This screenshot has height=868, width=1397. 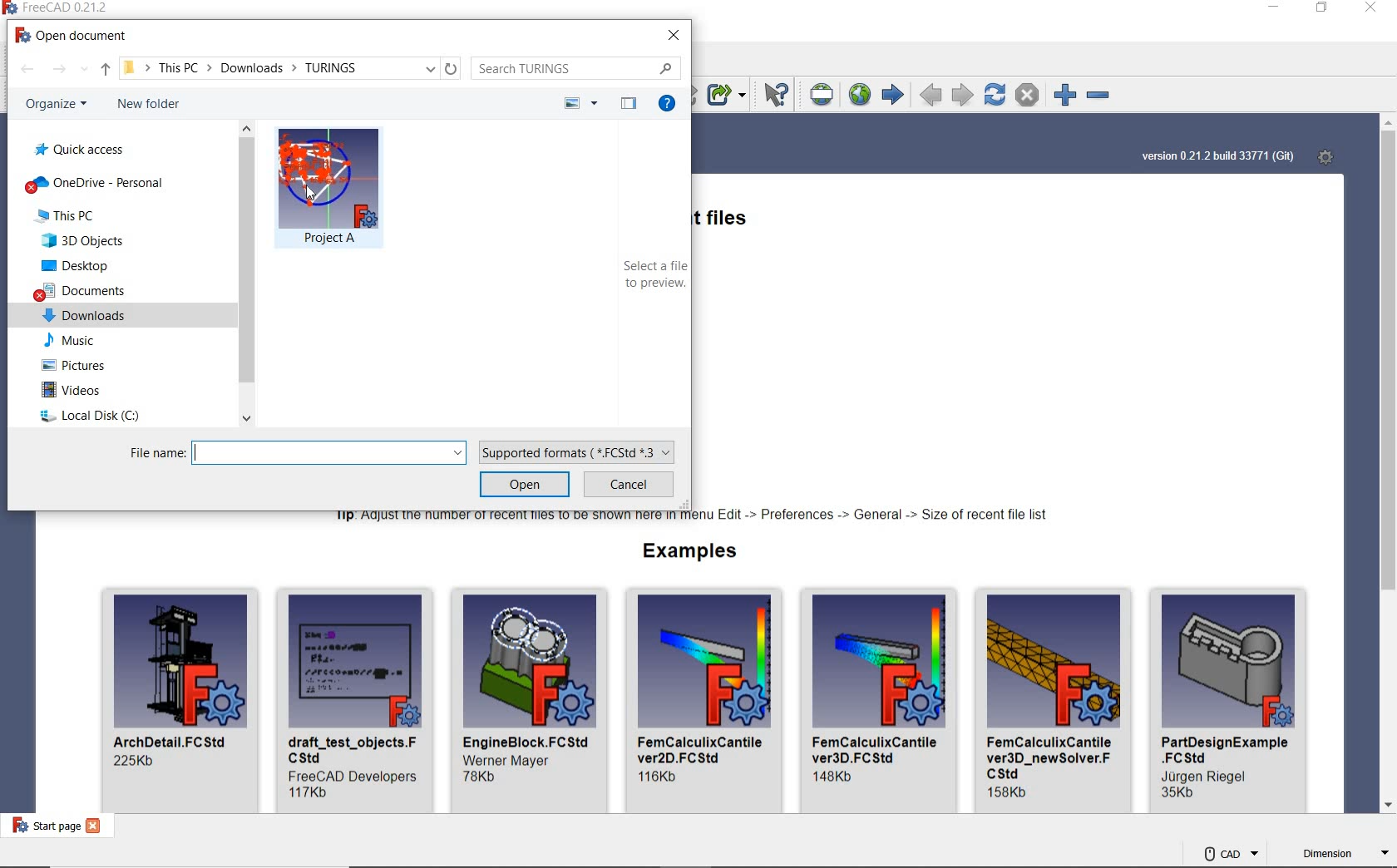 What do you see at coordinates (70, 215) in the screenshot?
I see `this PC` at bounding box center [70, 215].